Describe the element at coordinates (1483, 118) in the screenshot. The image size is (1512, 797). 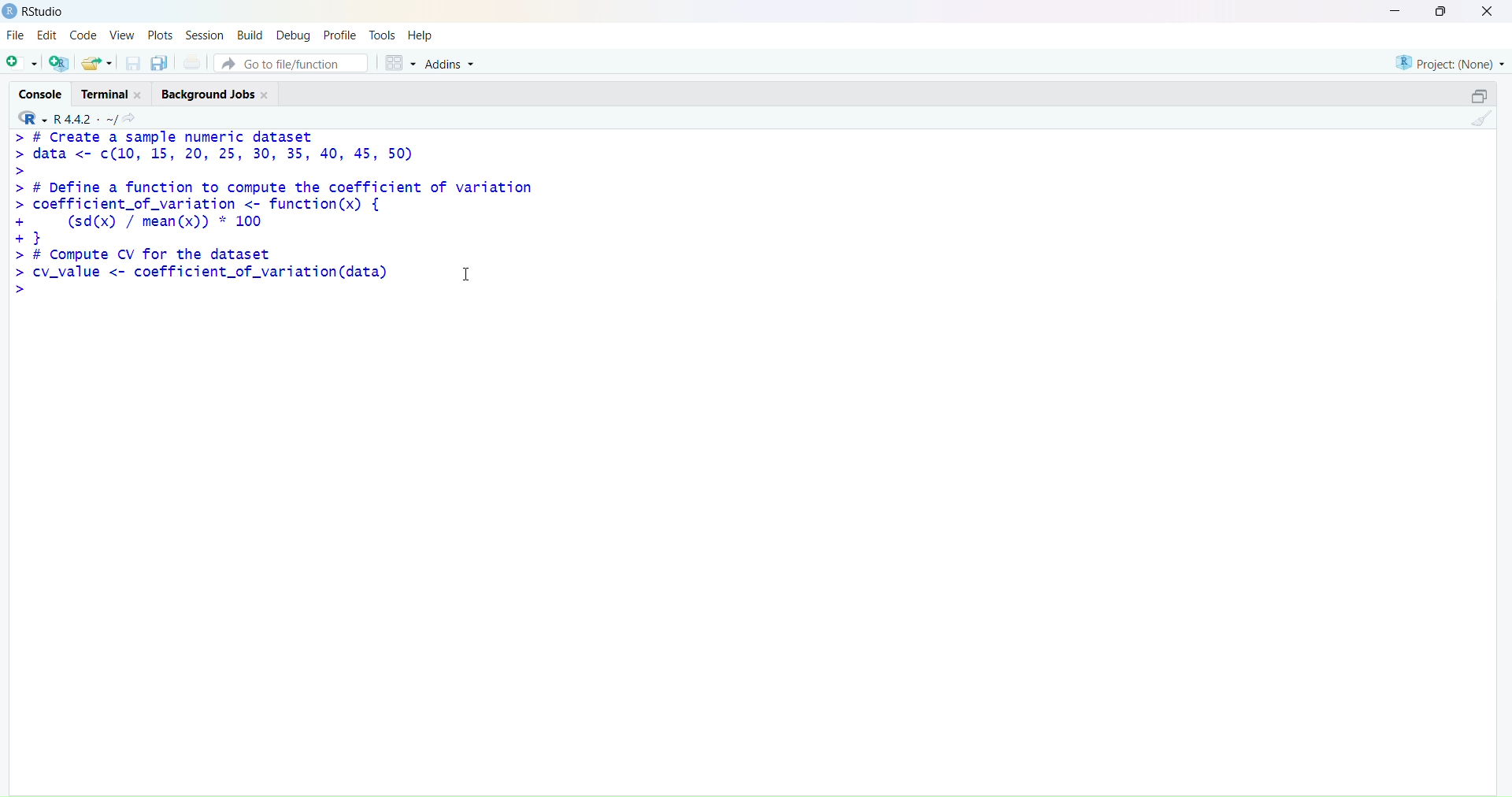
I see `clean` at that location.